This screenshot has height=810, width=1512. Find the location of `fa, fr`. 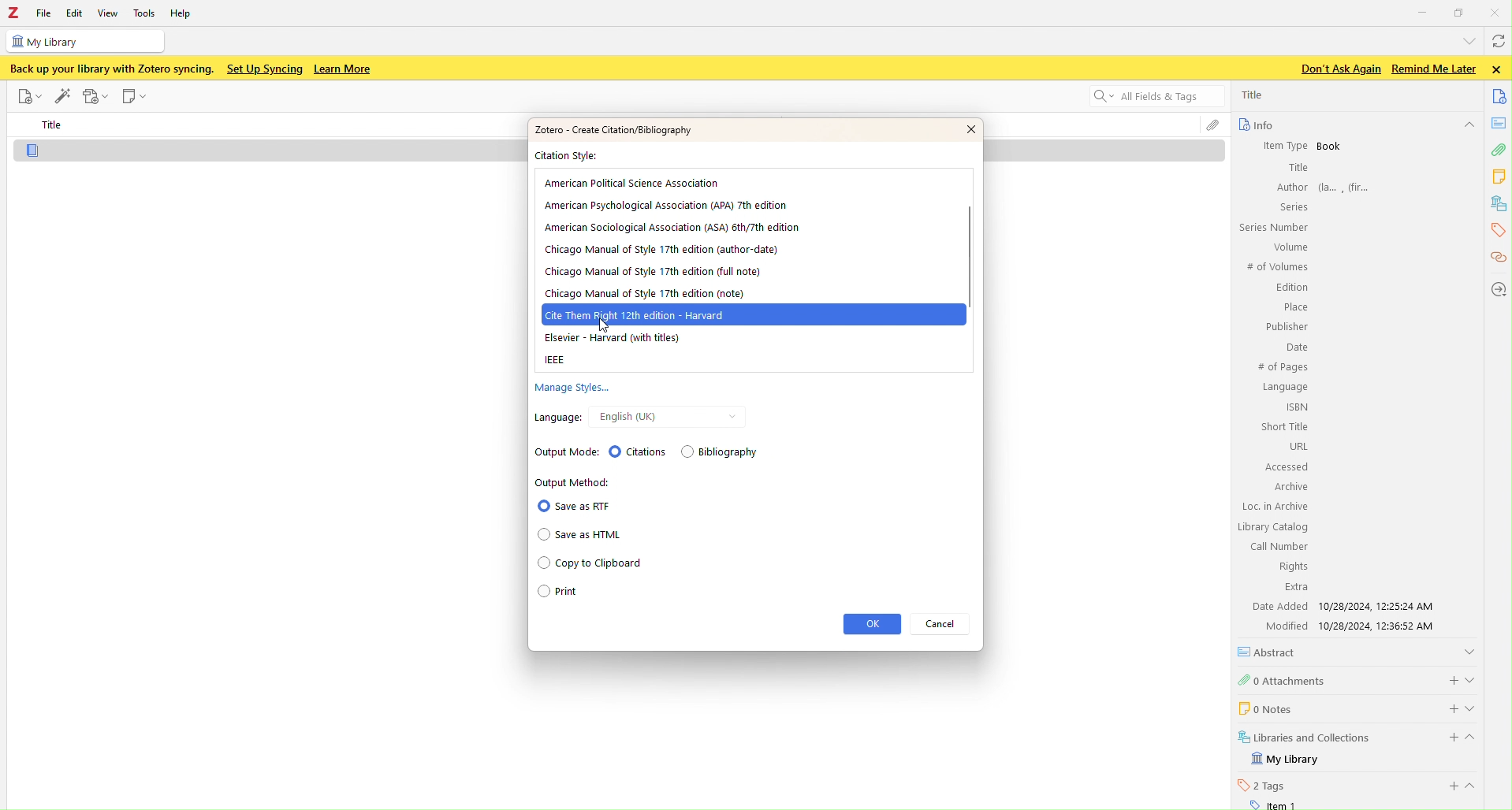

fa, fr is located at coordinates (1349, 186).